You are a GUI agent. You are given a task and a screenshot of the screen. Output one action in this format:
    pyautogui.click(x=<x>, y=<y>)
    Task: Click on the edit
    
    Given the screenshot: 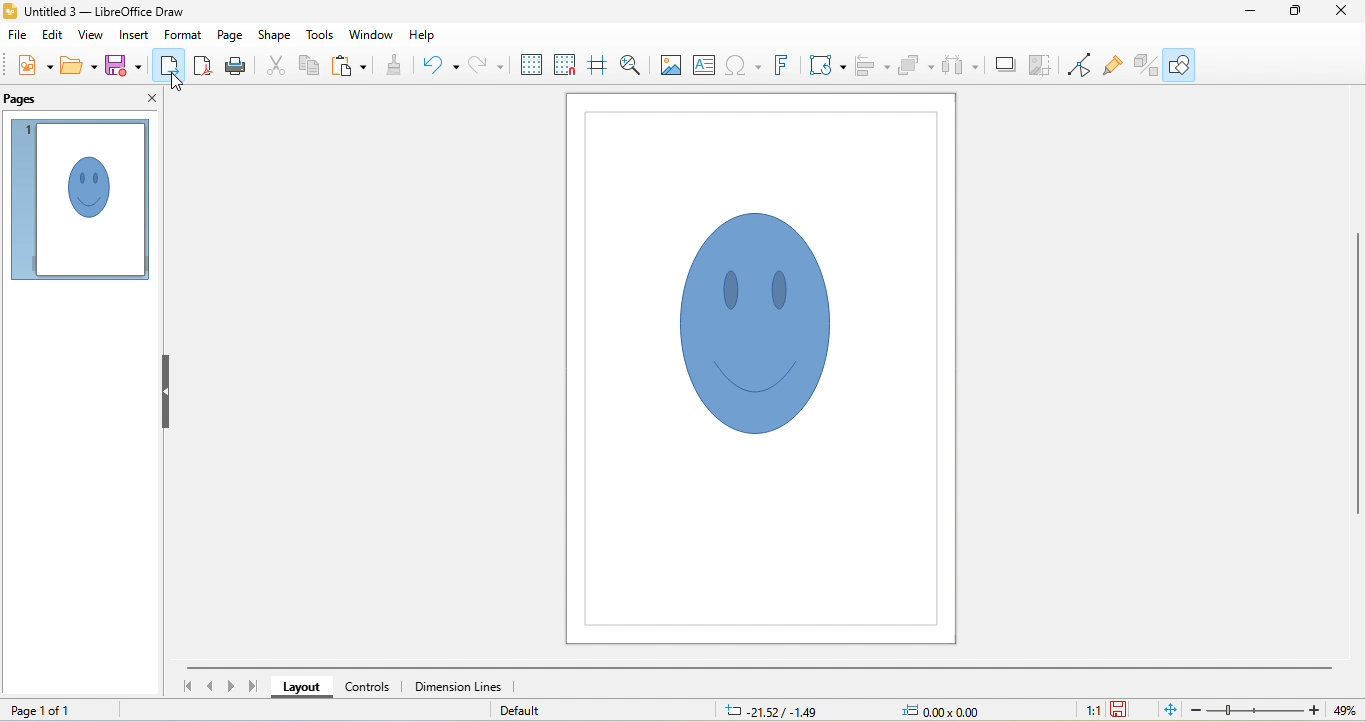 What is the action you would take?
    pyautogui.click(x=53, y=36)
    